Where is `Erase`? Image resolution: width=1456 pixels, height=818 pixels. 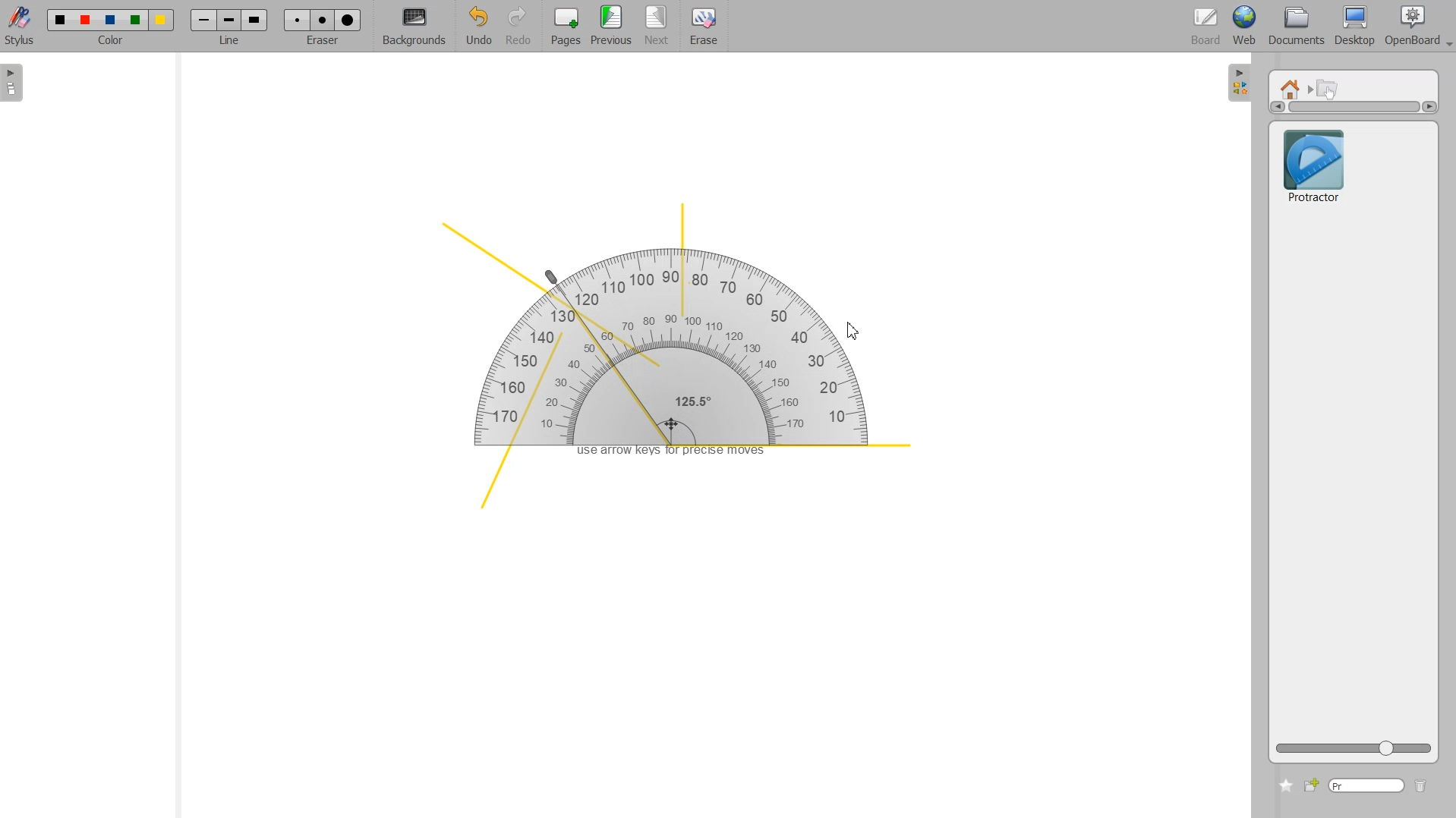 Erase is located at coordinates (703, 27).